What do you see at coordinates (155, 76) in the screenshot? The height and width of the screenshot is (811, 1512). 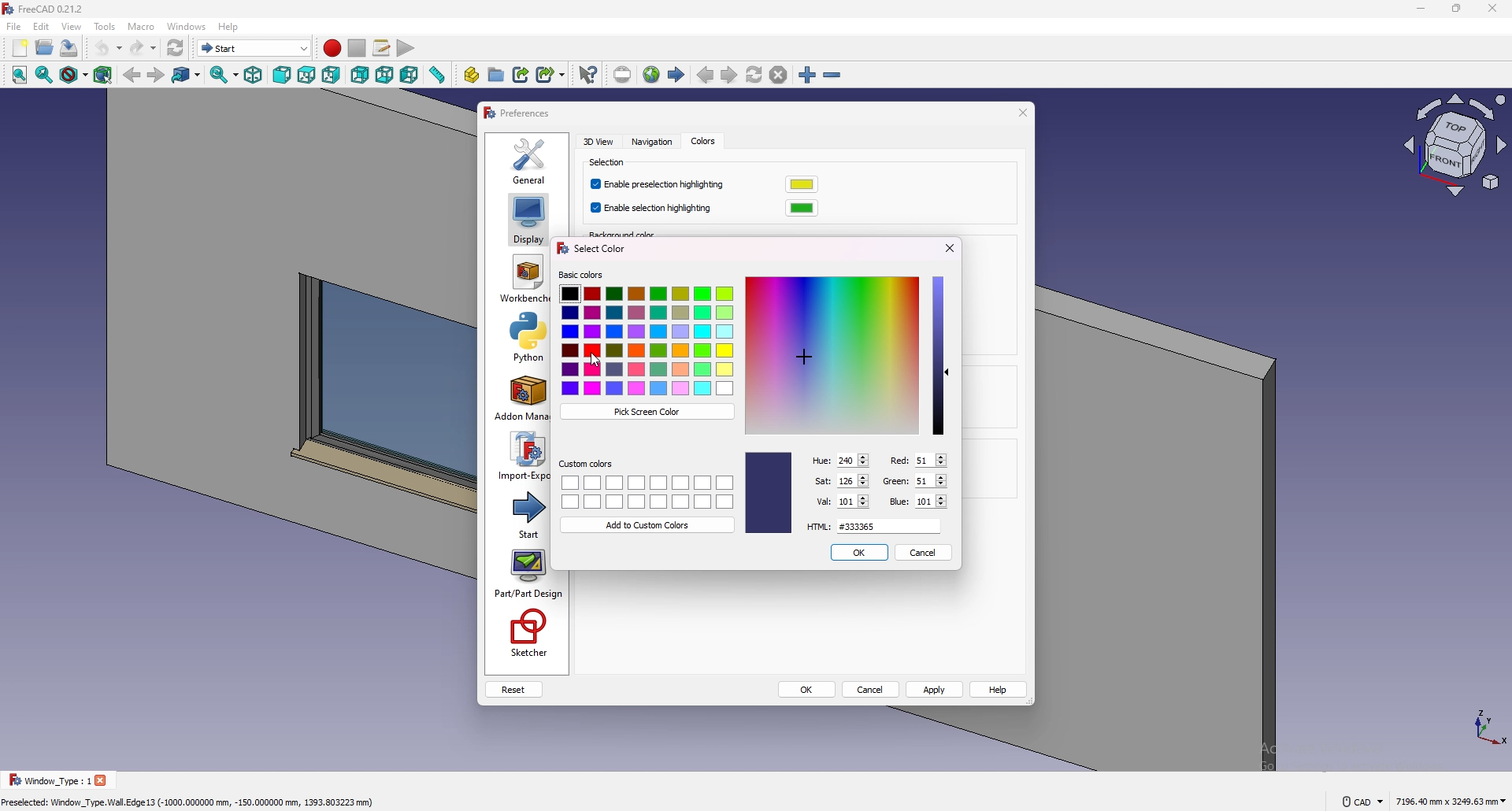 I see `forward` at bounding box center [155, 76].